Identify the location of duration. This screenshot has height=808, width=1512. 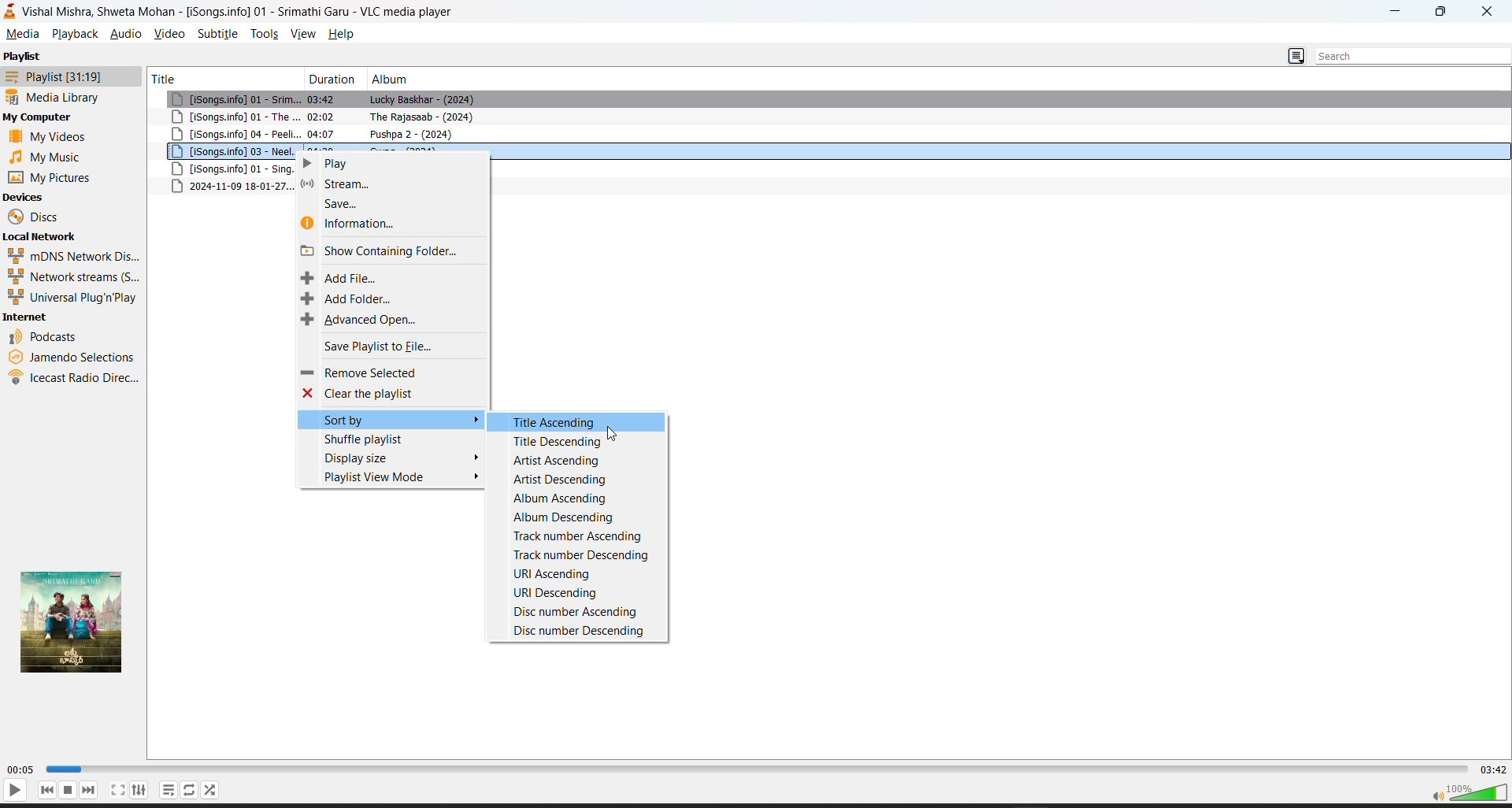
(333, 78).